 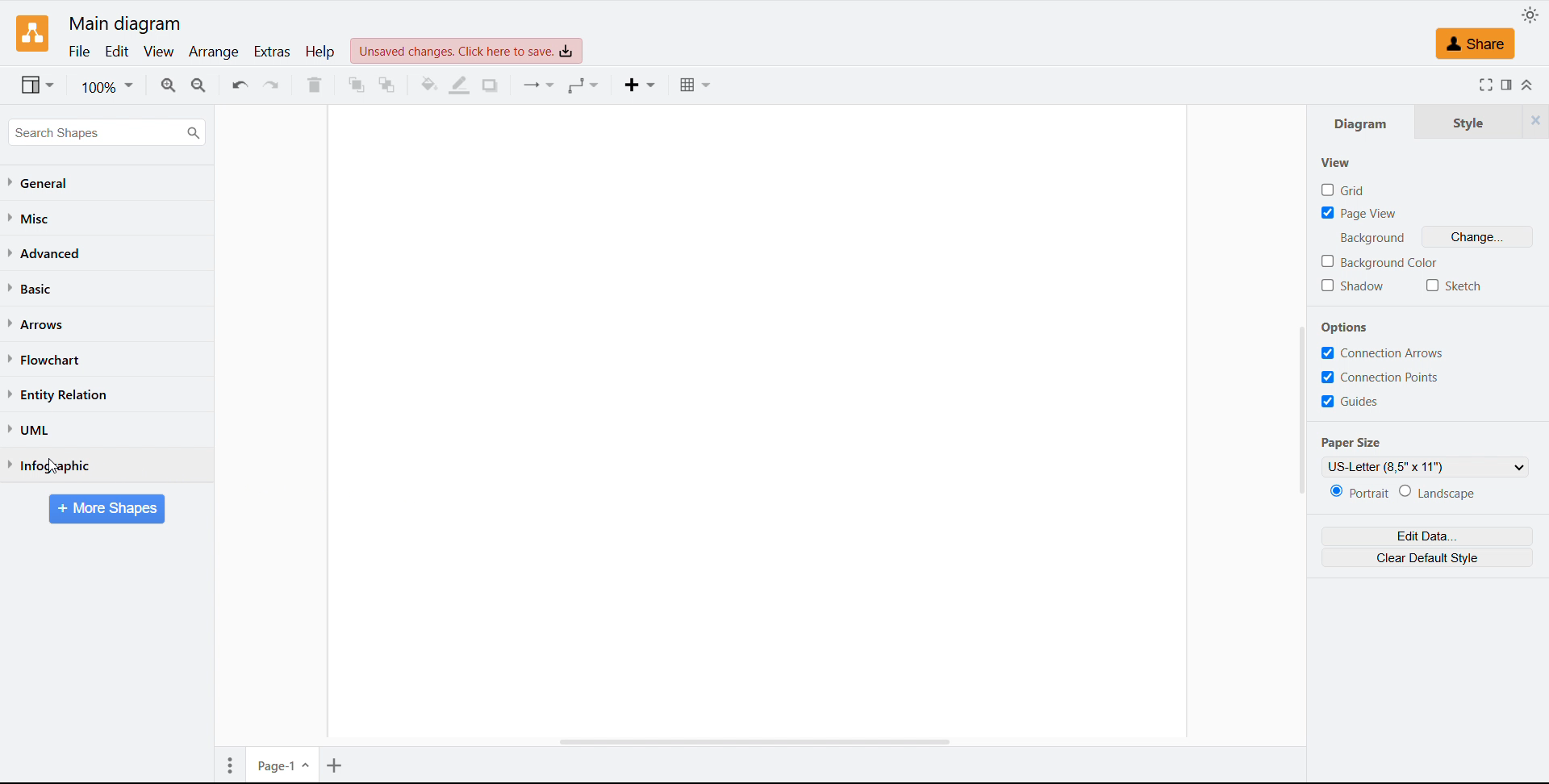 What do you see at coordinates (1351, 402) in the screenshot?
I see `guides ` at bounding box center [1351, 402].